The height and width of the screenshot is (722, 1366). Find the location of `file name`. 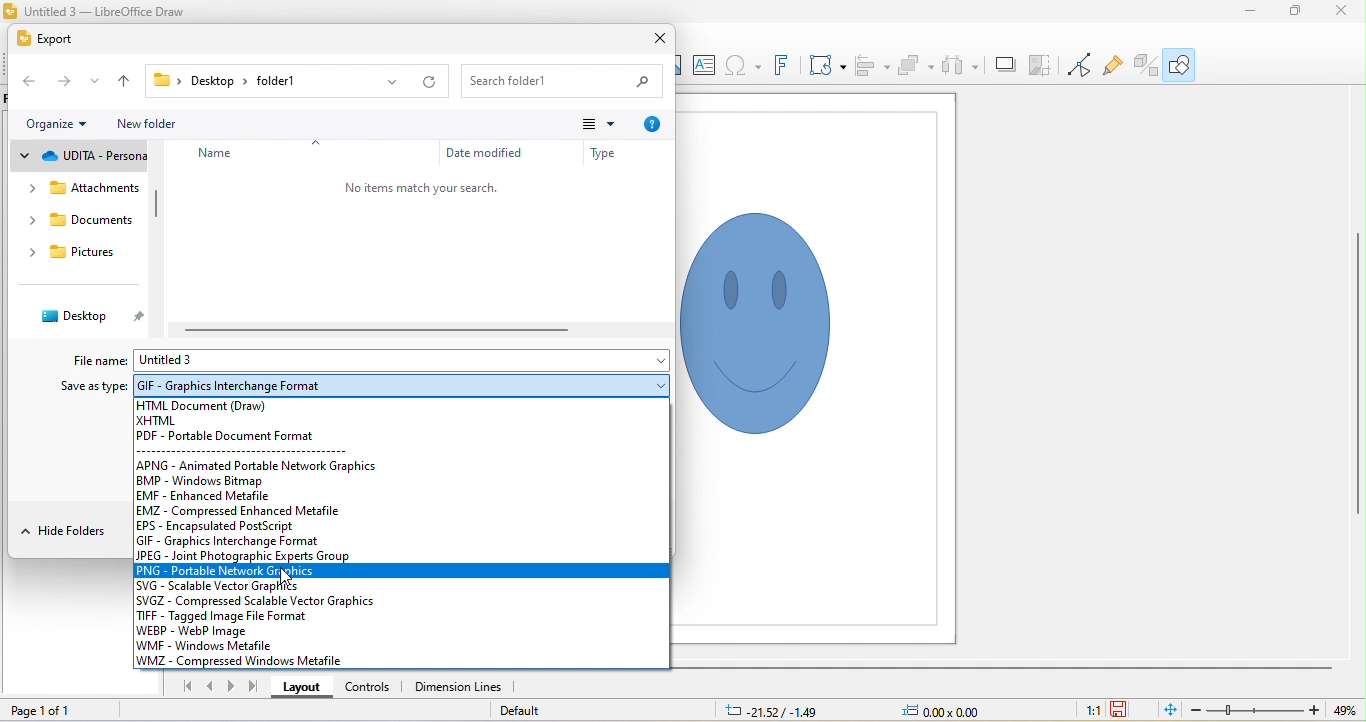

file name is located at coordinates (100, 360).